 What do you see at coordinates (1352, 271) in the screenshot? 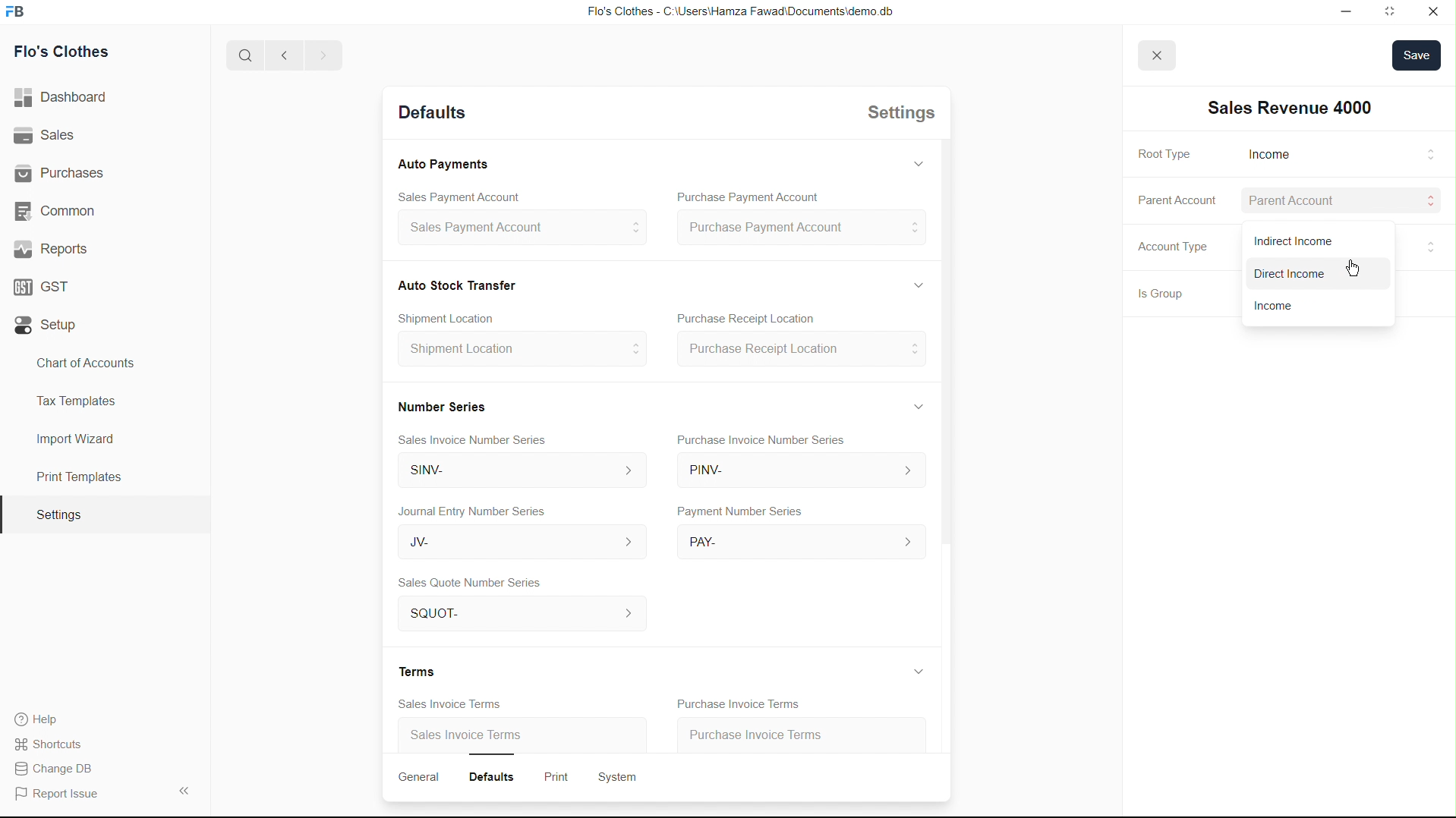
I see `cursor` at bounding box center [1352, 271].